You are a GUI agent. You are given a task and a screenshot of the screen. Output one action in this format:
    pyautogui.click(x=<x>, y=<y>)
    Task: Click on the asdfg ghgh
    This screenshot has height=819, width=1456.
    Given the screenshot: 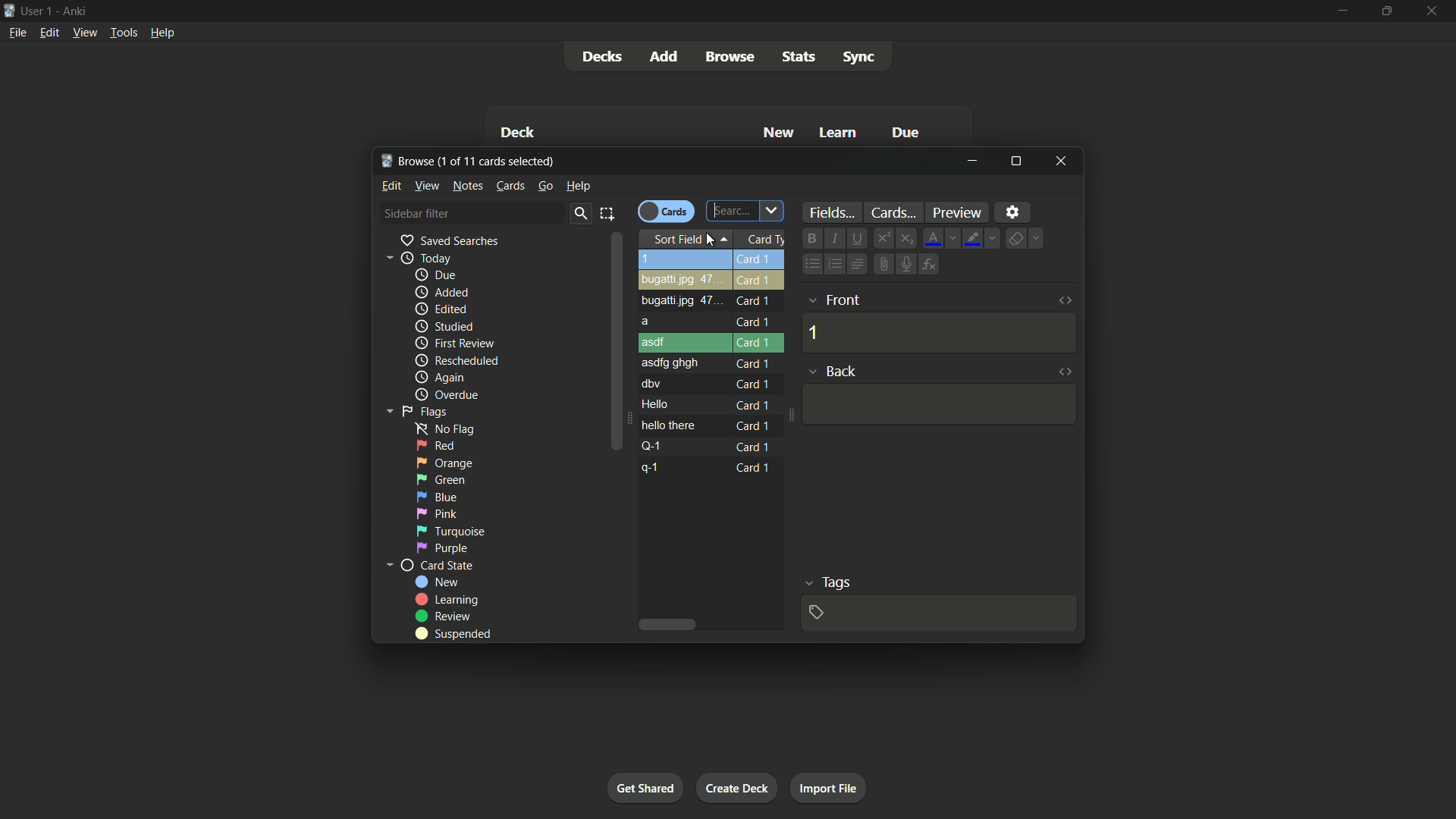 What is the action you would take?
    pyautogui.click(x=672, y=363)
    